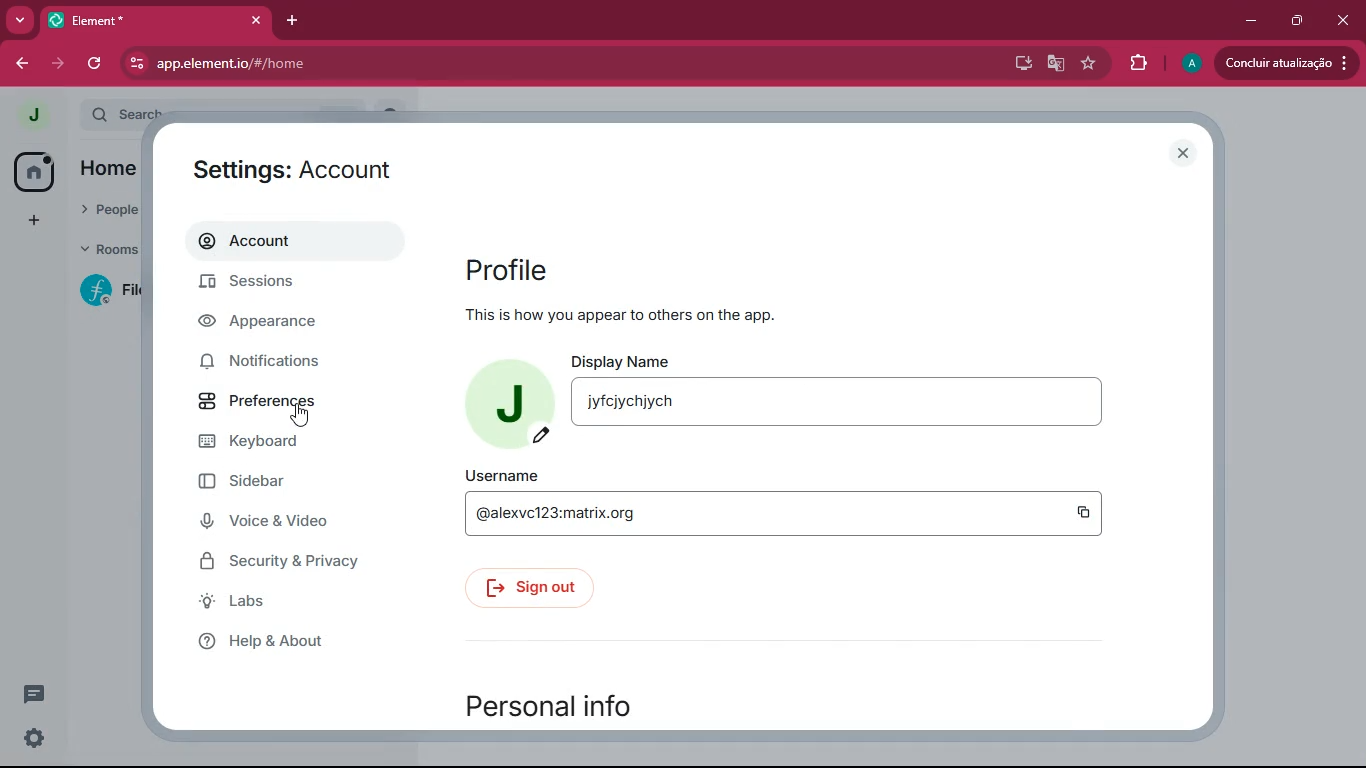  What do you see at coordinates (353, 64) in the screenshot?
I see `url` at bounding box center [353, 64].